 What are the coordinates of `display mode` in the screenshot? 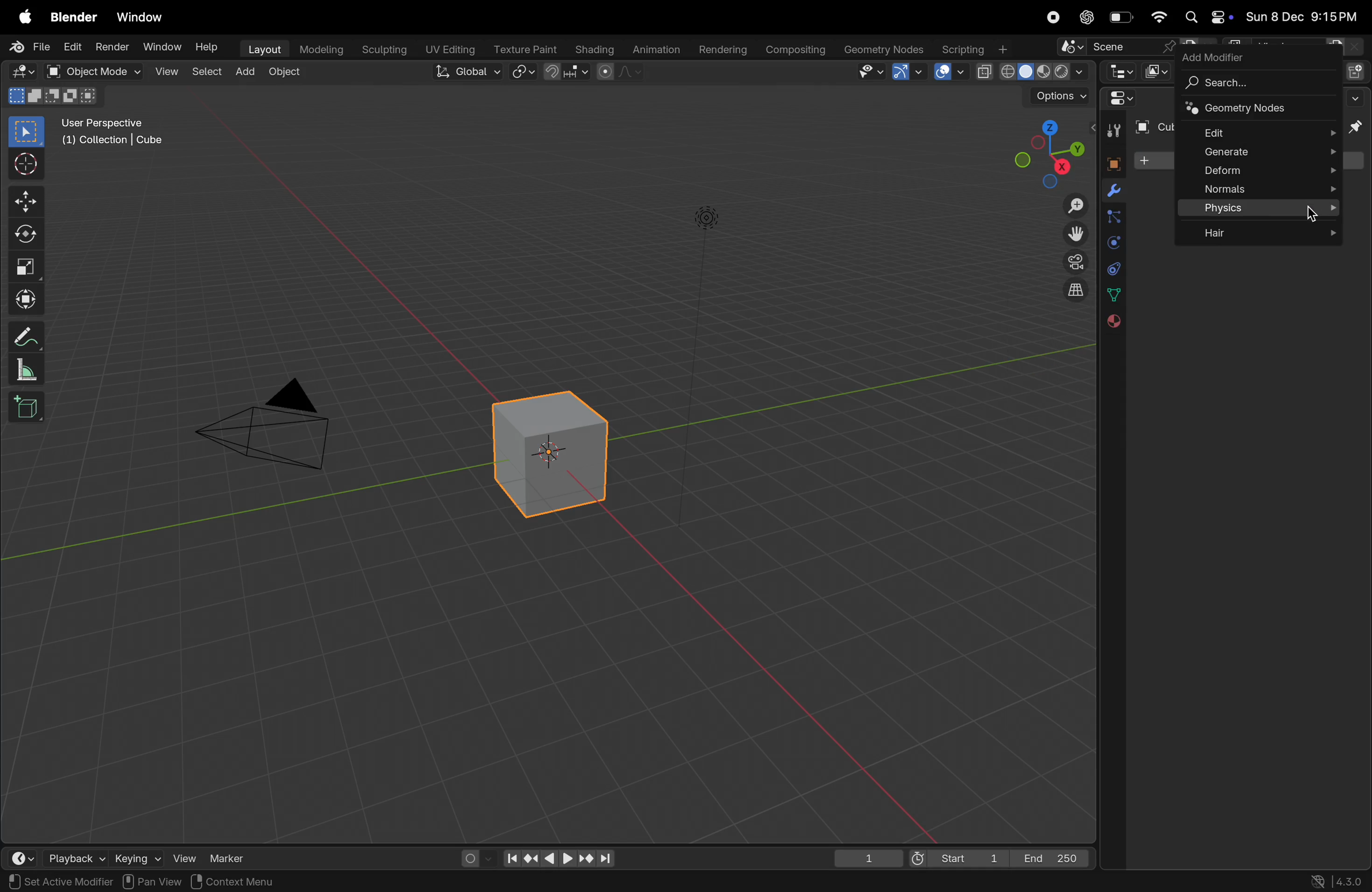 It's located at (1156, 71).